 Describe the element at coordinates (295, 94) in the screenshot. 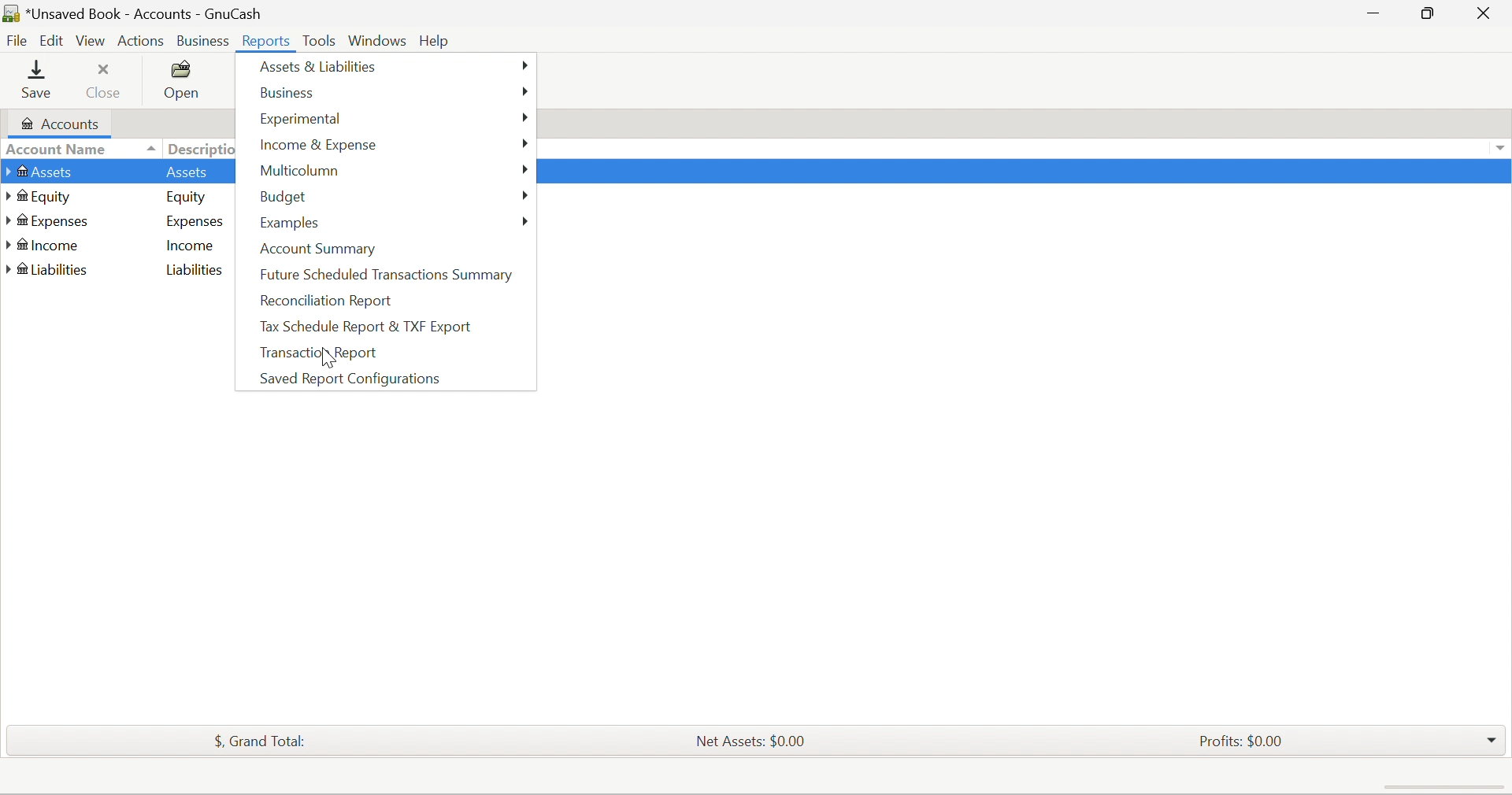

I see `Business` at that location.